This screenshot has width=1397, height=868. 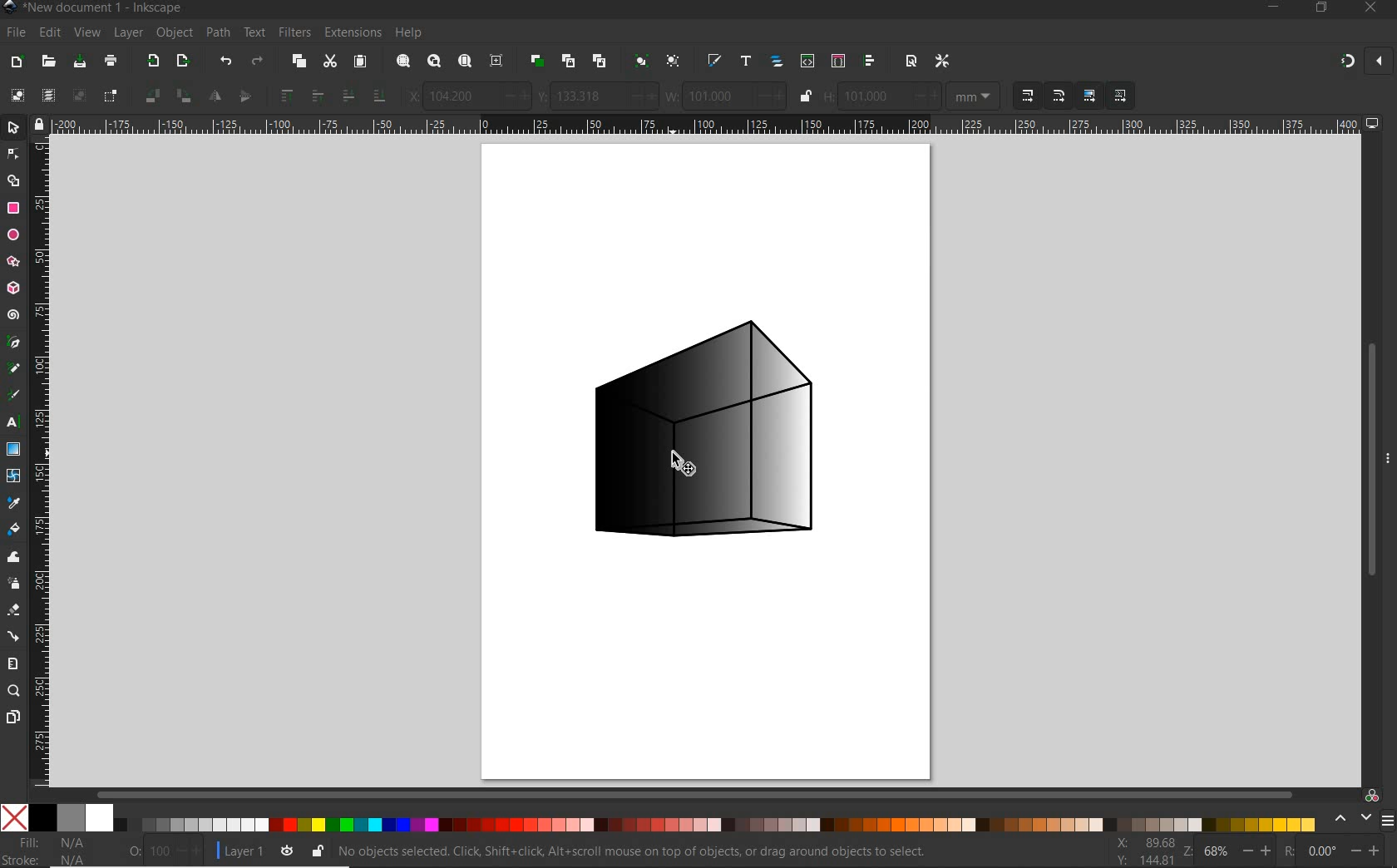 What do you see at coordinates (224, 61) in the screenshot?
I see `UNDO` at bounding box center [224, 61].